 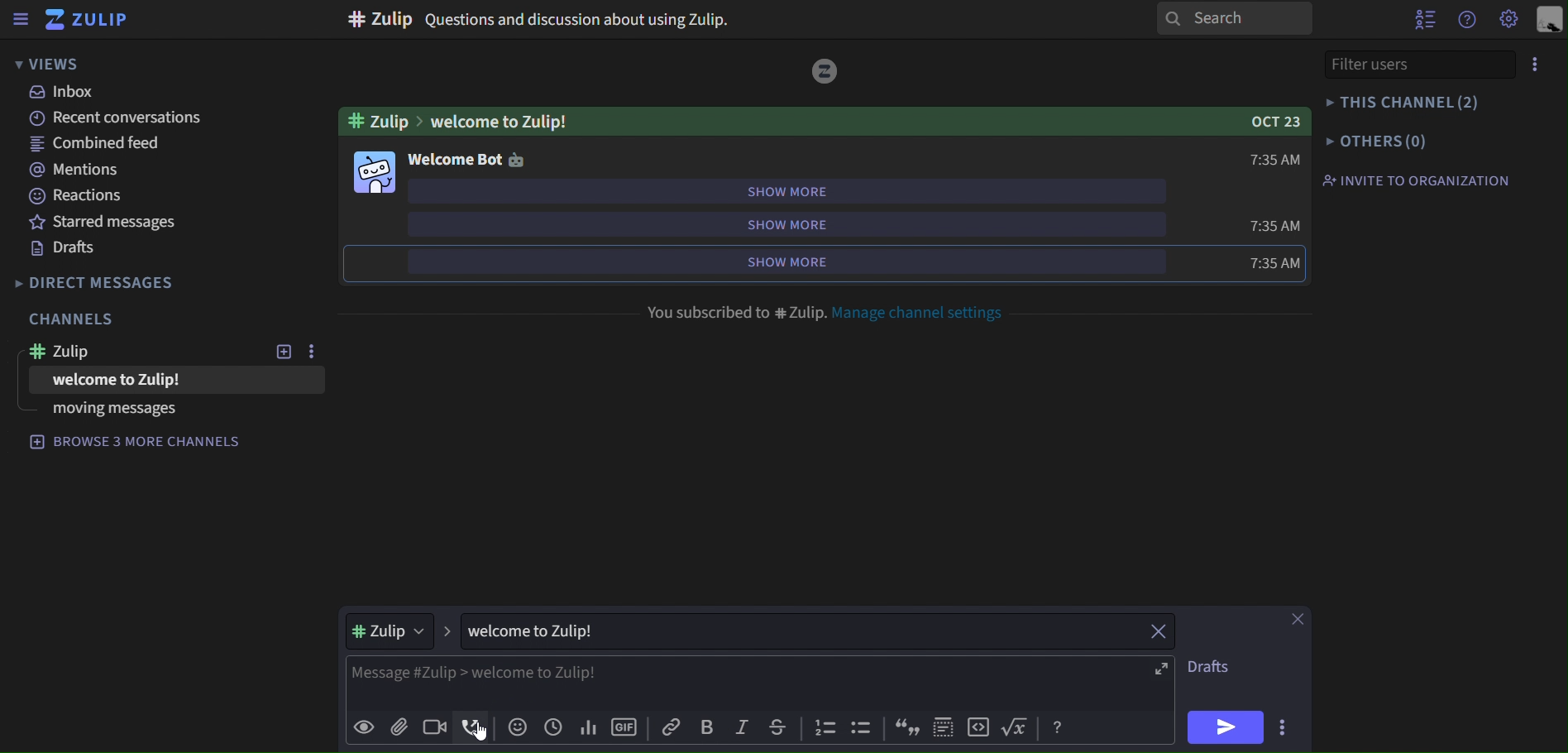 What do you see at coordinates (709, 727) in the screenshot?
I see `bold` at bounding box center [709, 727].